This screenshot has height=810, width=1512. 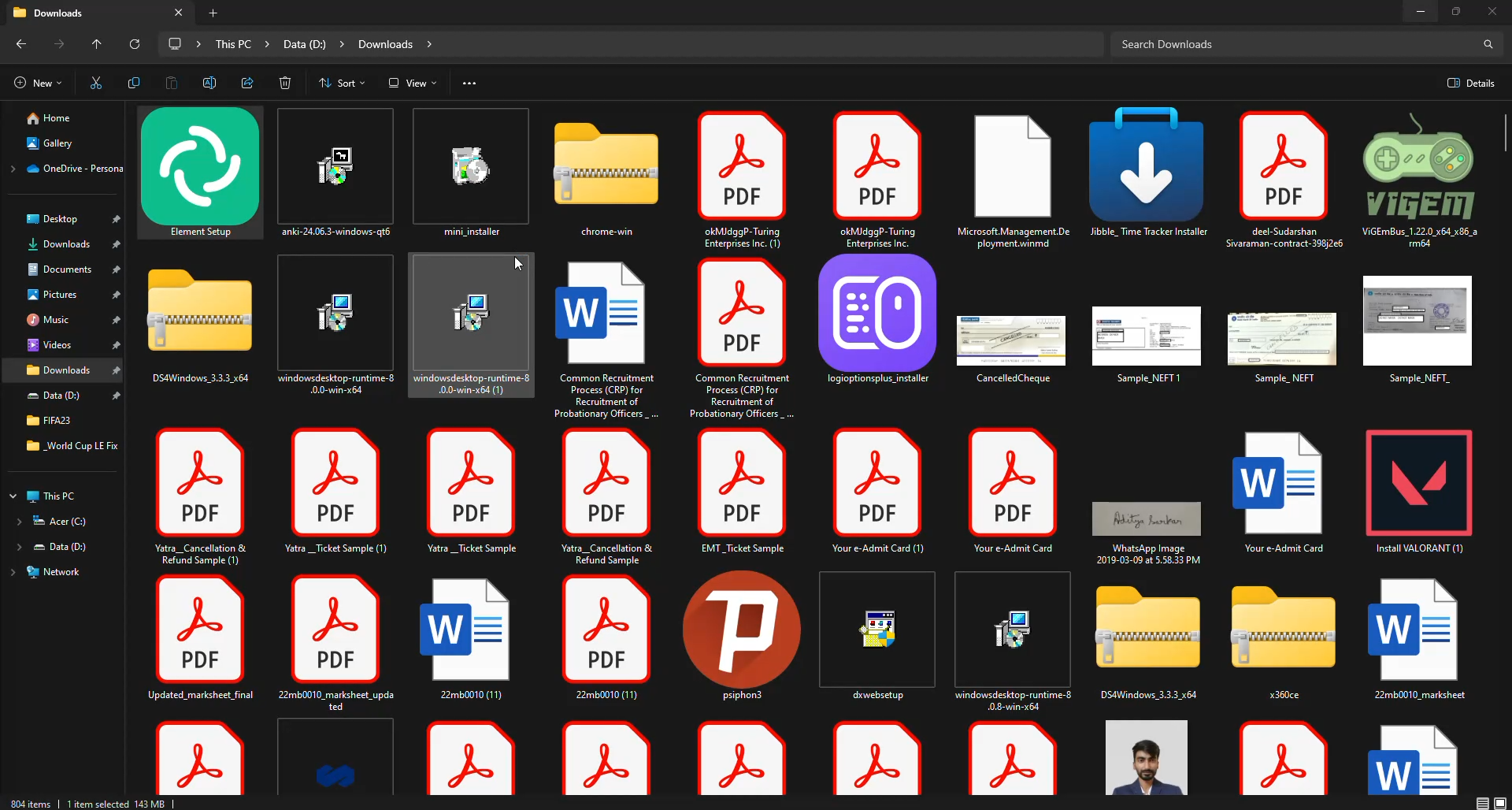 What do you see at coordinates (1454, 12) in the screenshot?
I see `maximize` at bounding box center [1454, 12].